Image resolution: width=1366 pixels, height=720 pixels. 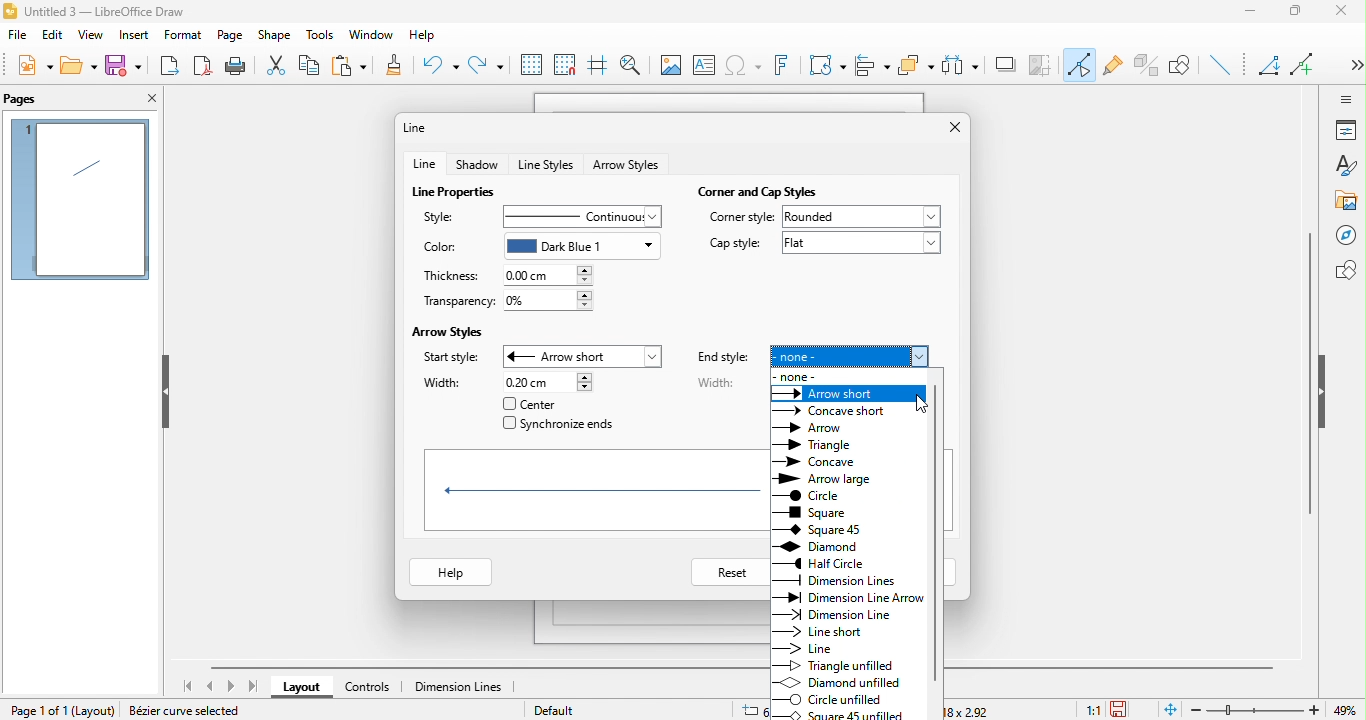 What do you see at coordinates (468, 687) in the screenshot?
I see `dimension line` at bounding box center [468, 687].